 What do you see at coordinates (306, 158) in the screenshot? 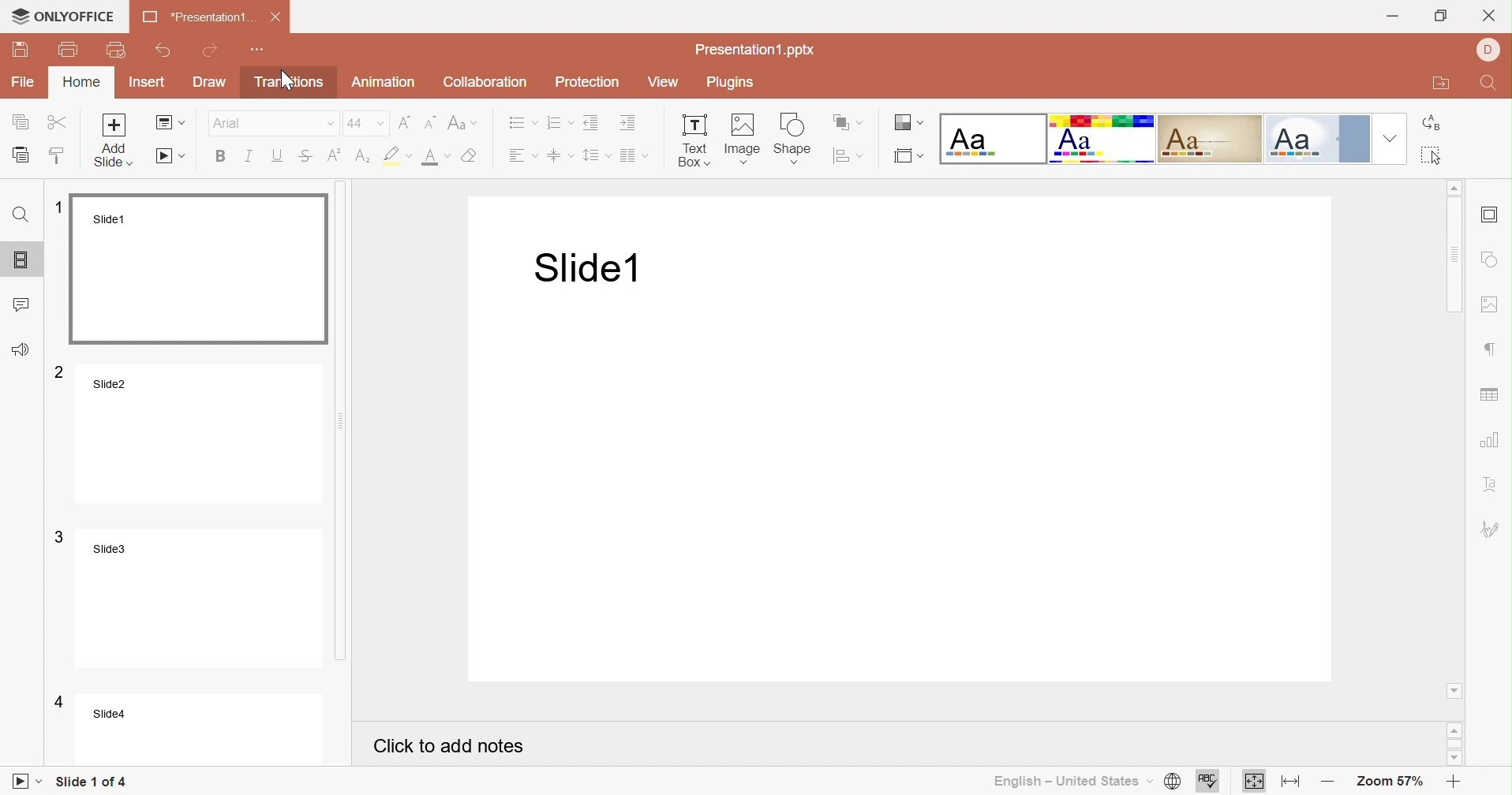
I see `Strikethrough` at bounding box center [306, 158].